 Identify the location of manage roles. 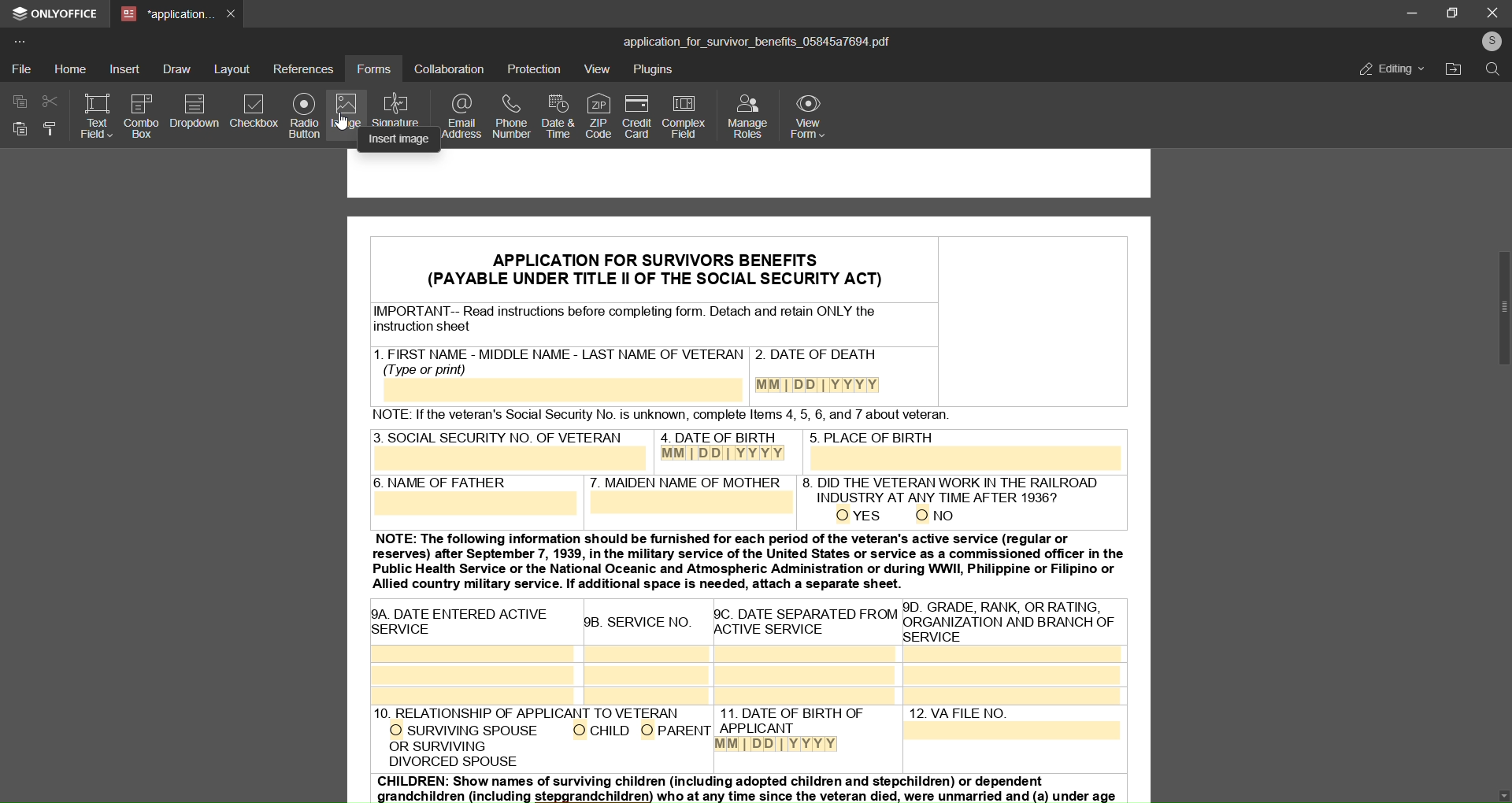
(747, 117).